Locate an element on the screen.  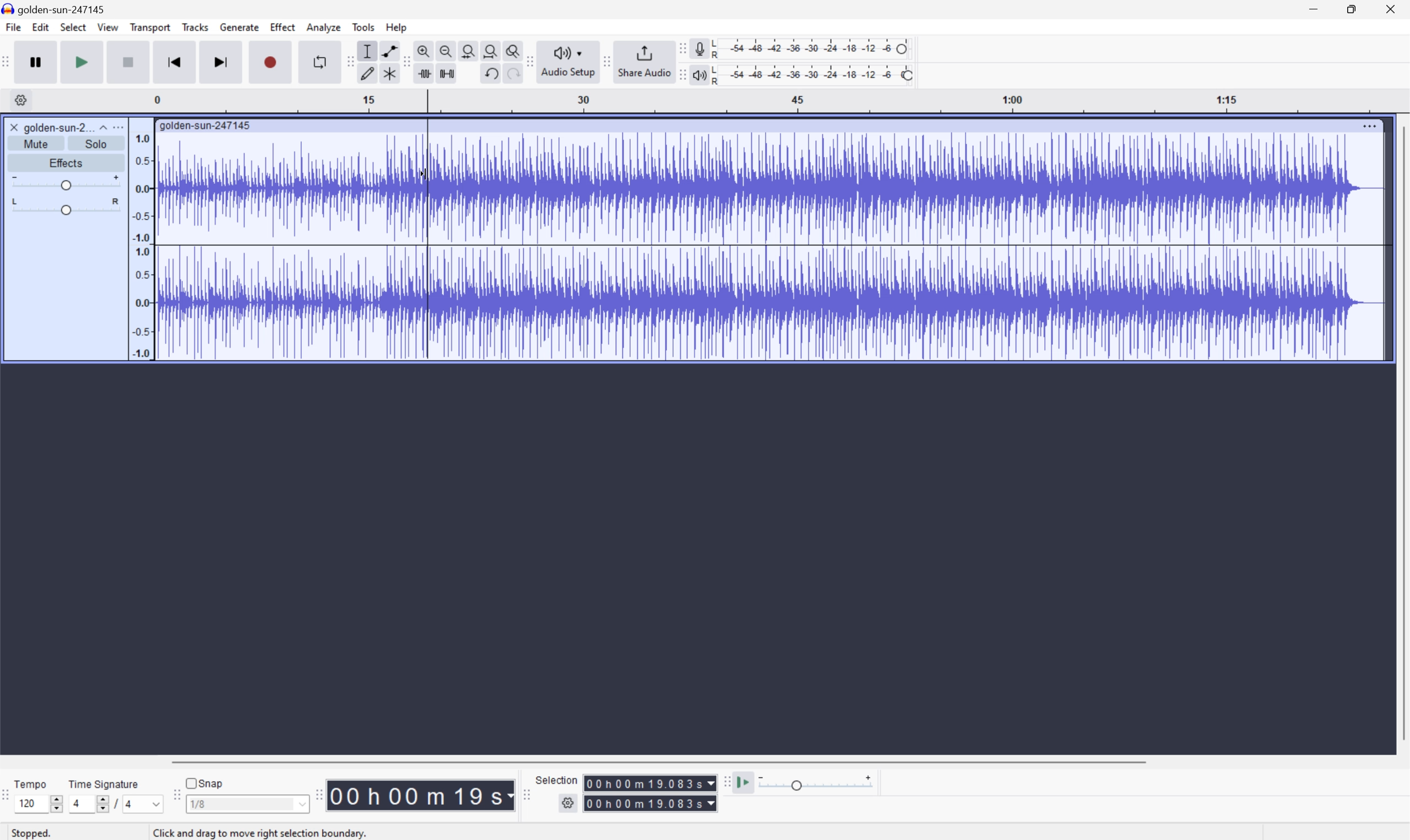
golden-sun-247145 is located at coordinates (206, 125).